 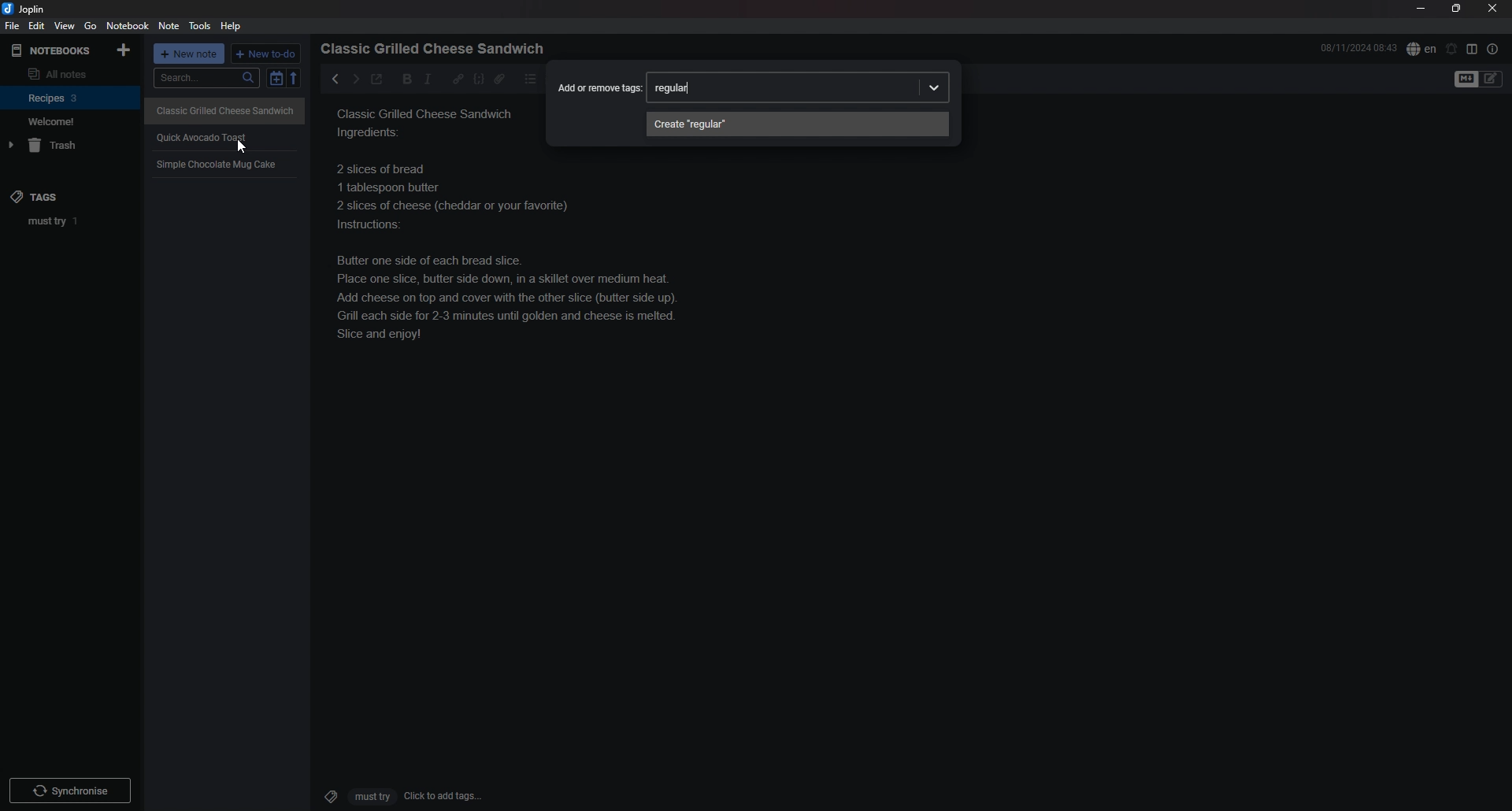 What do you see at coordinates (437, 49) in the screenshot?
I see `heading` at bounding box center [437, 49].